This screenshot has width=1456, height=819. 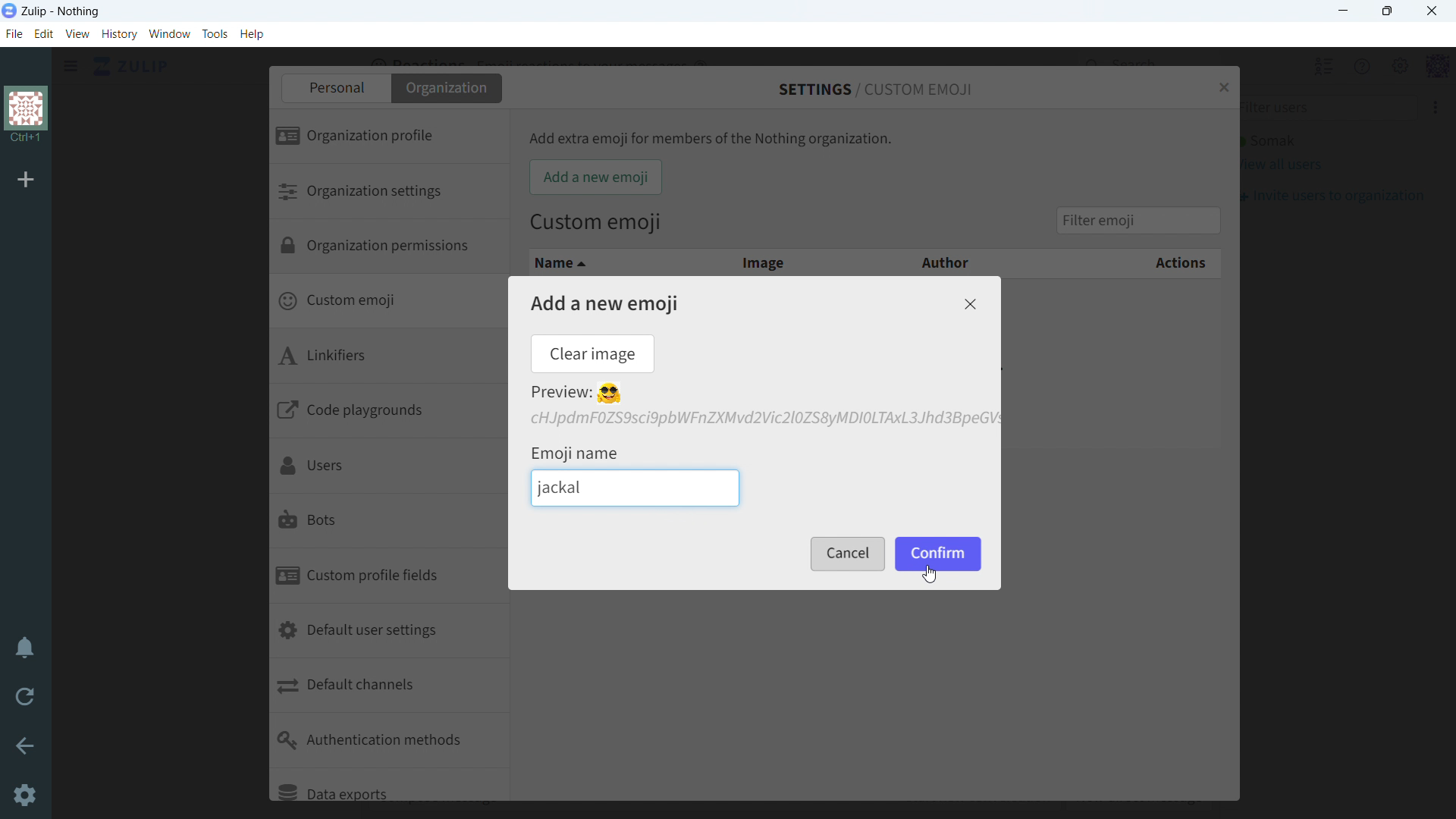 I want to click on reload, so click(x=25, y=698).